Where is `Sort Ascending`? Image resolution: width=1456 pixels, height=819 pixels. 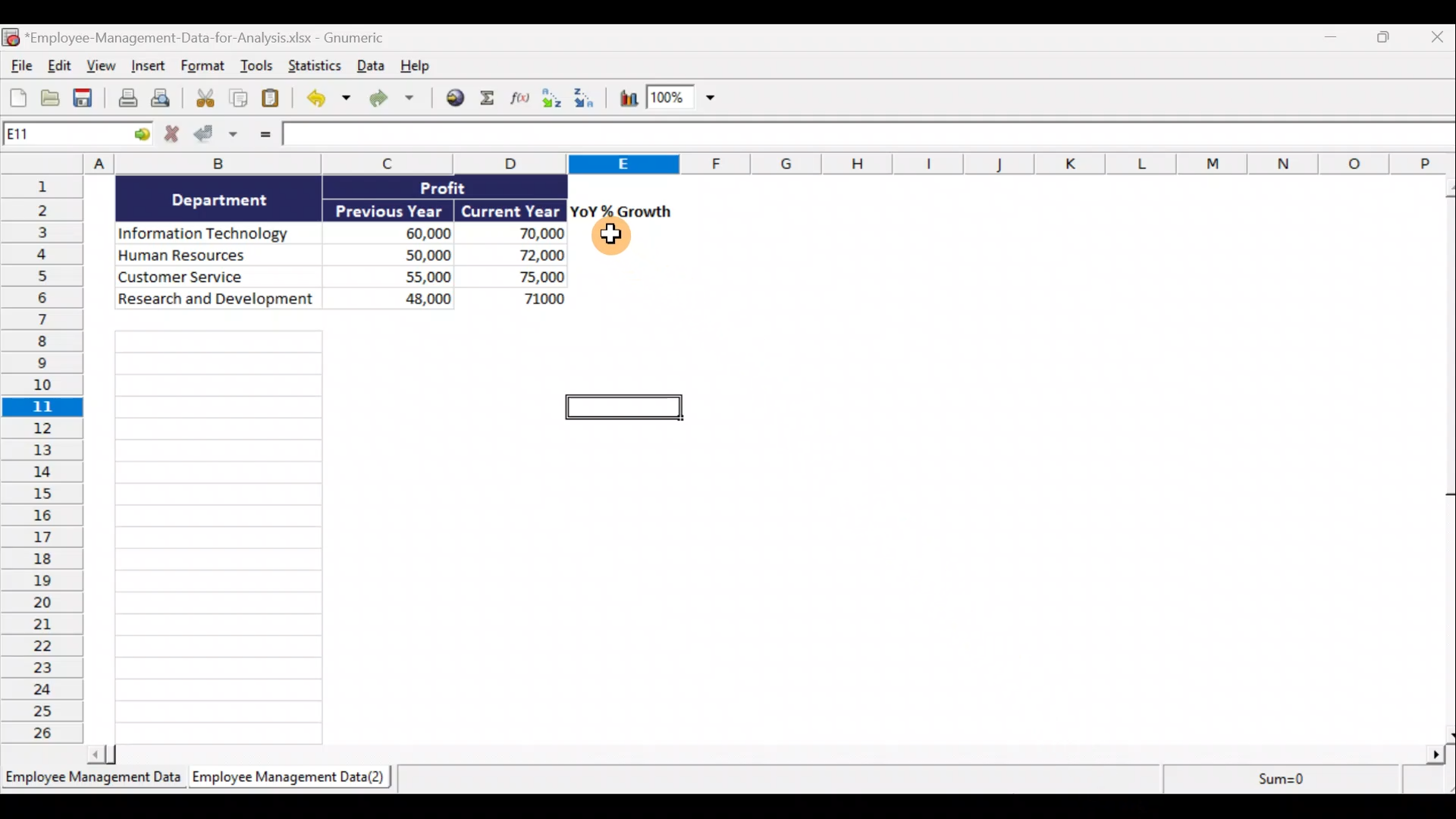
Sort Ascending is located at coordinates (553, 100).